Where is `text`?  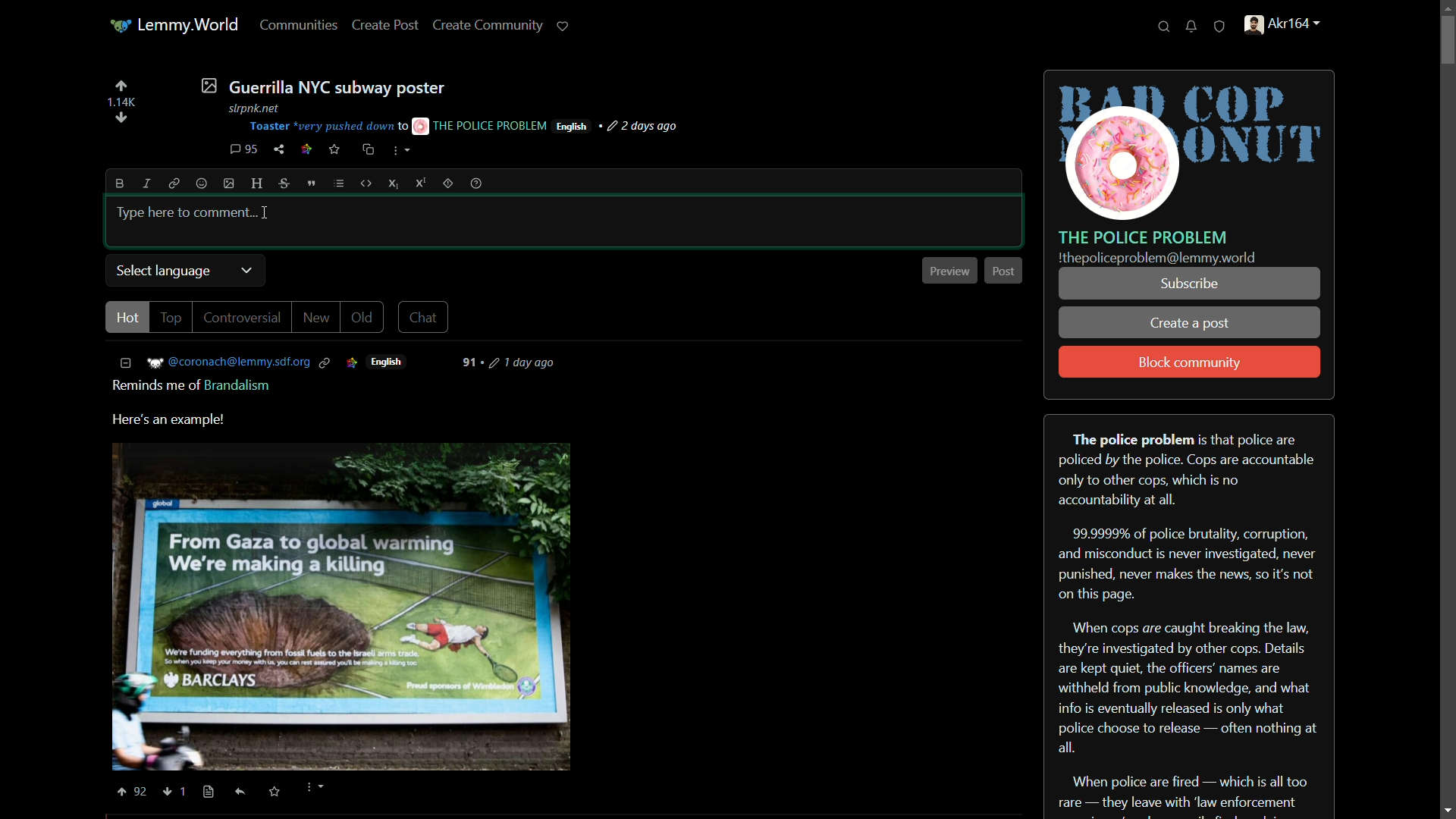
text is located at coordinates (194, 388).